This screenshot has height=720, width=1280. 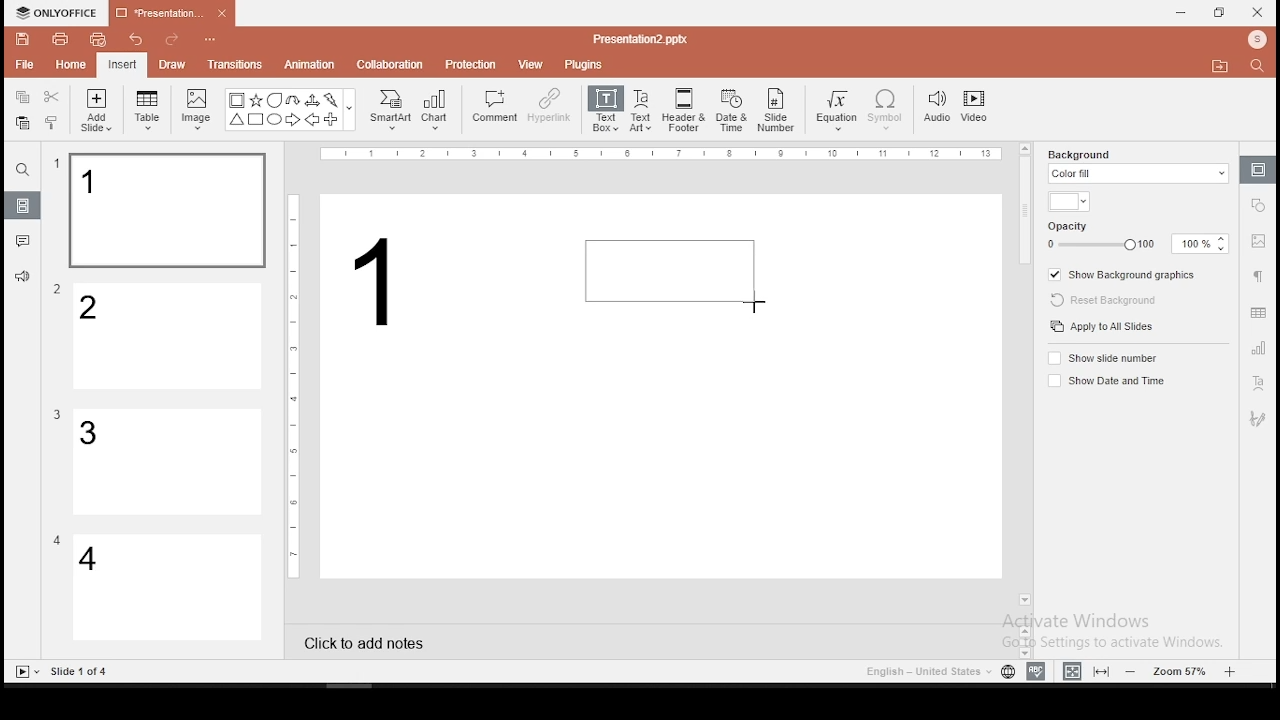 What do you see at coordinates (52, 96) in the screenshot?
I see `cut` at bounding box center [52, 96].